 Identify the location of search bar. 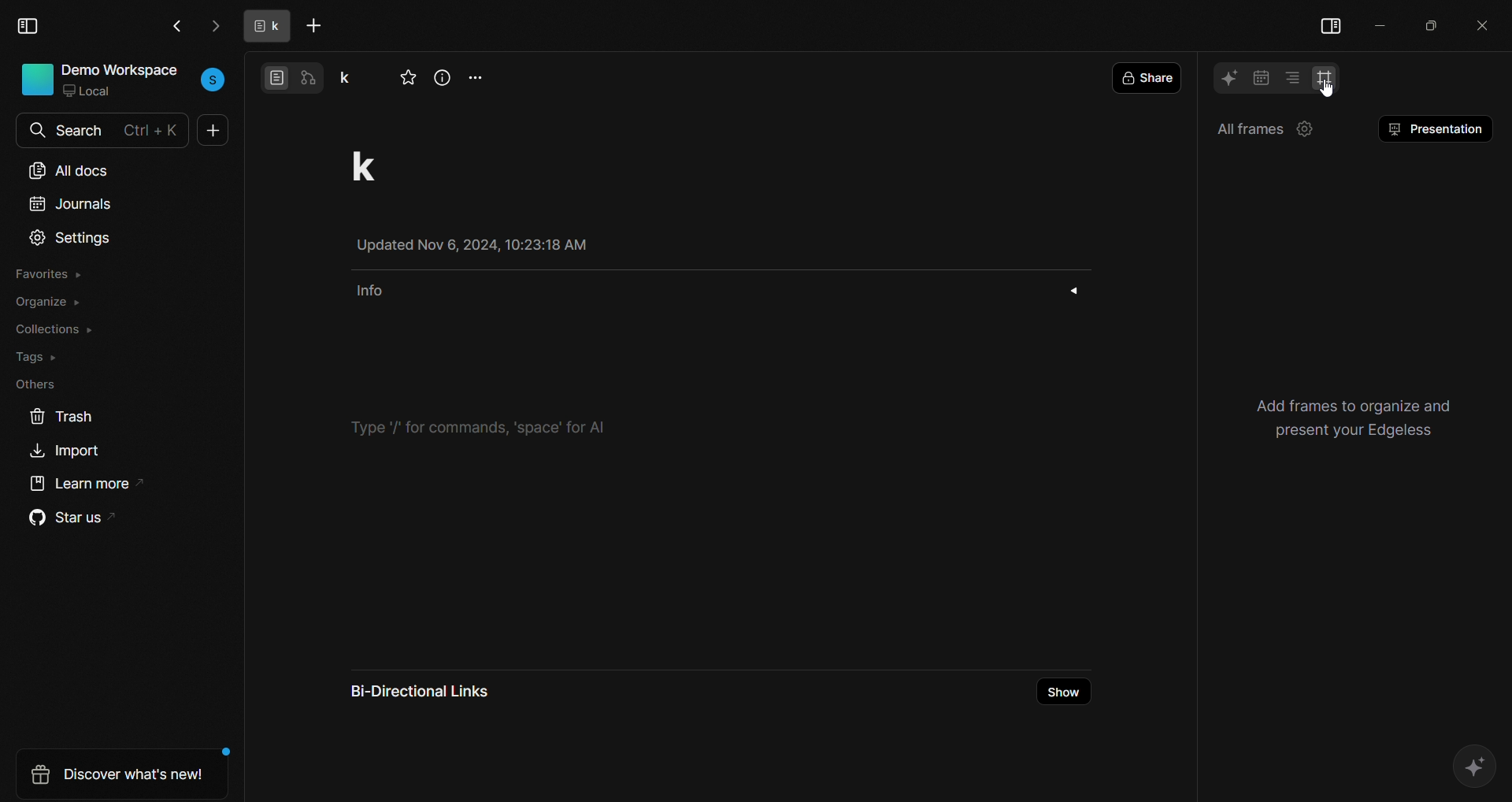
(115, 127).